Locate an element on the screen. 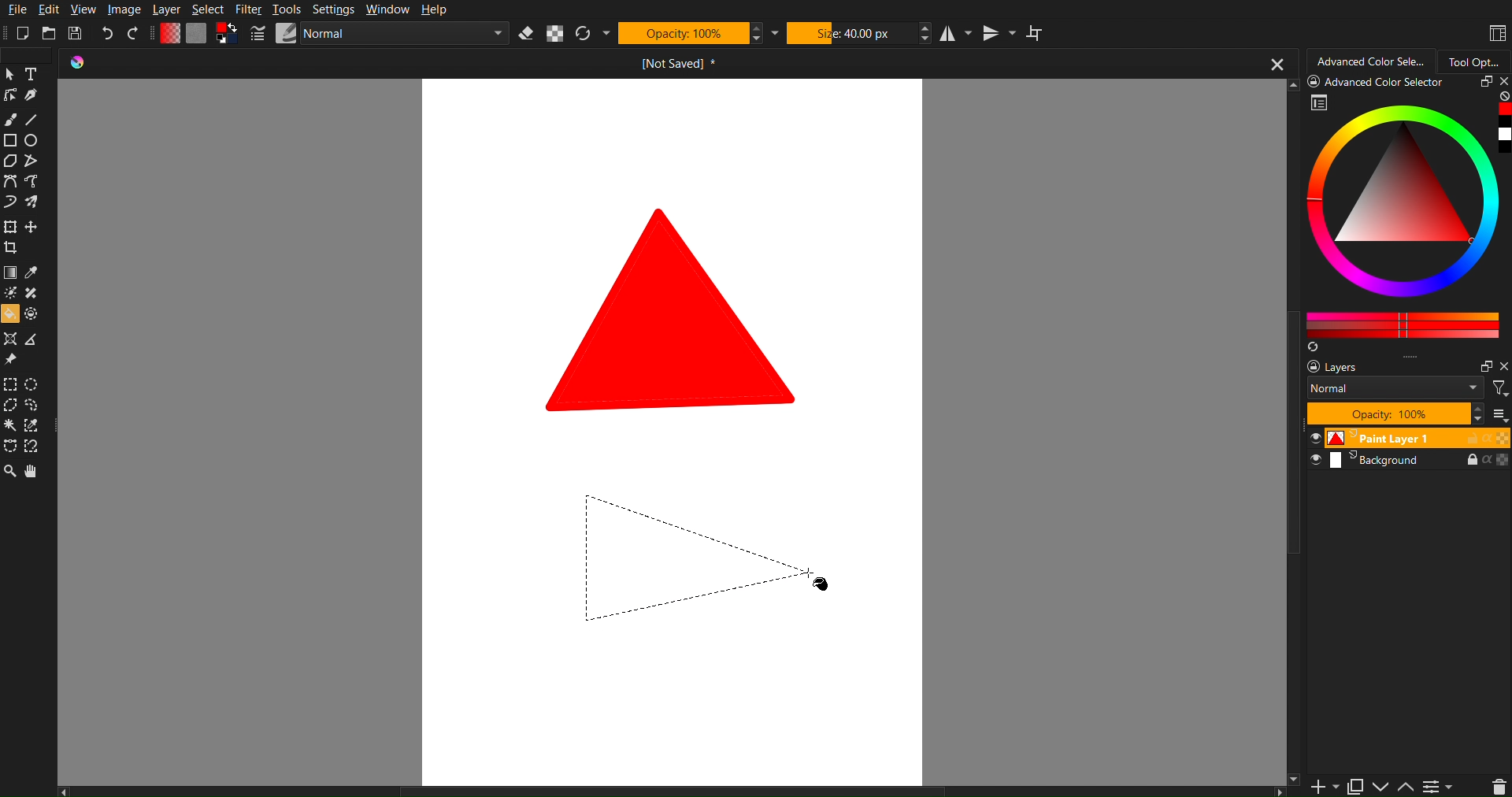 The image size is (1512, 797). Lineart Tools is located at coordinates (9, 95).